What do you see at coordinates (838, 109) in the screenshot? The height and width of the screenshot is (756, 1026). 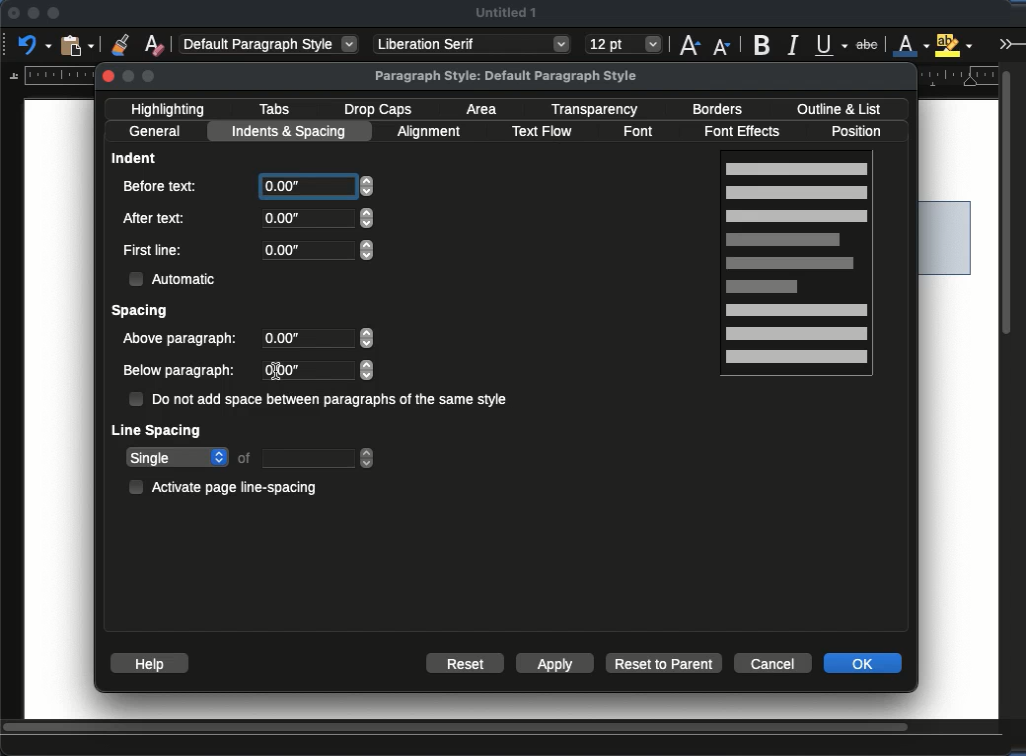 I see `outline` at bounding box center [838, 109].